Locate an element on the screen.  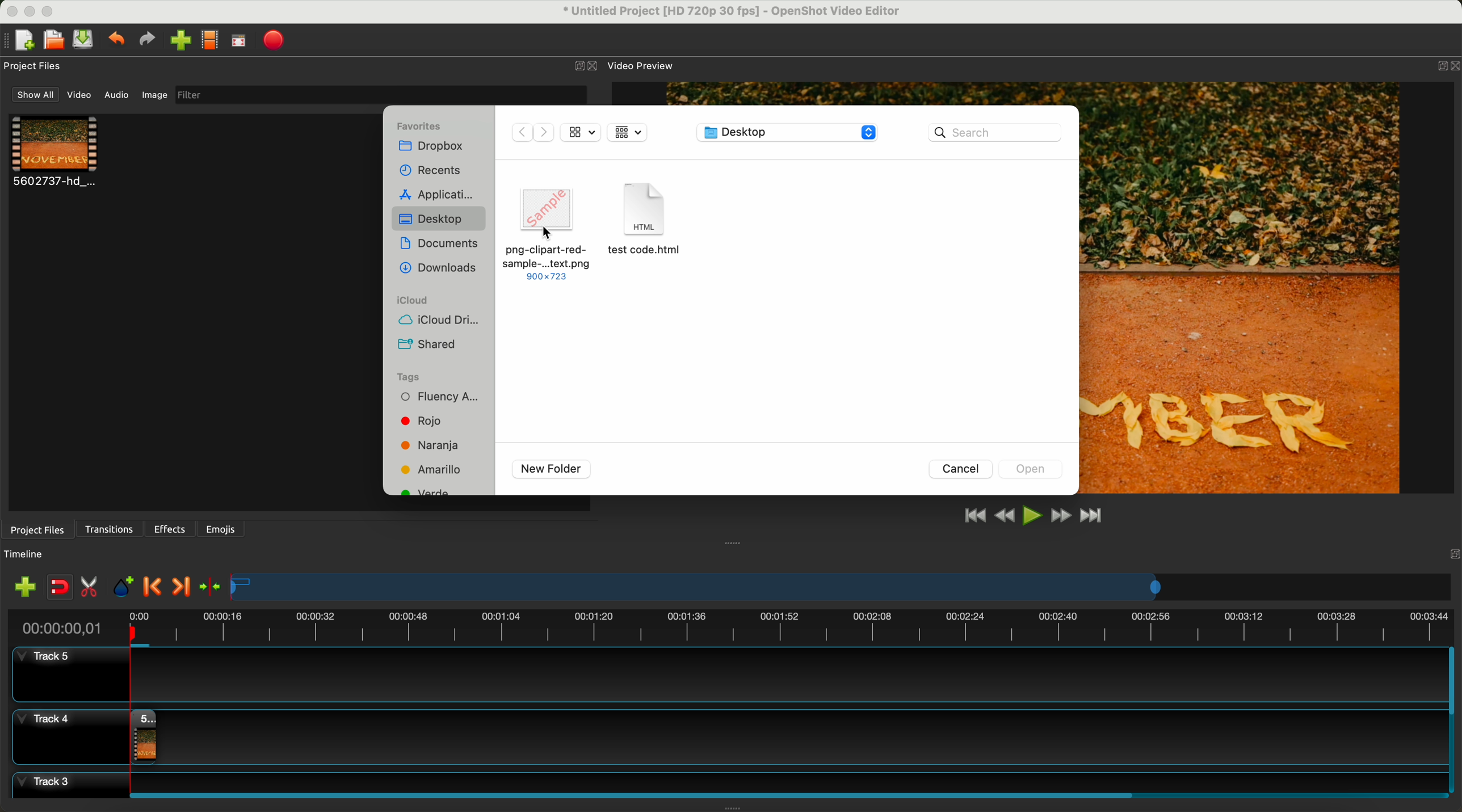
save file is located at coordinates (85, 40).